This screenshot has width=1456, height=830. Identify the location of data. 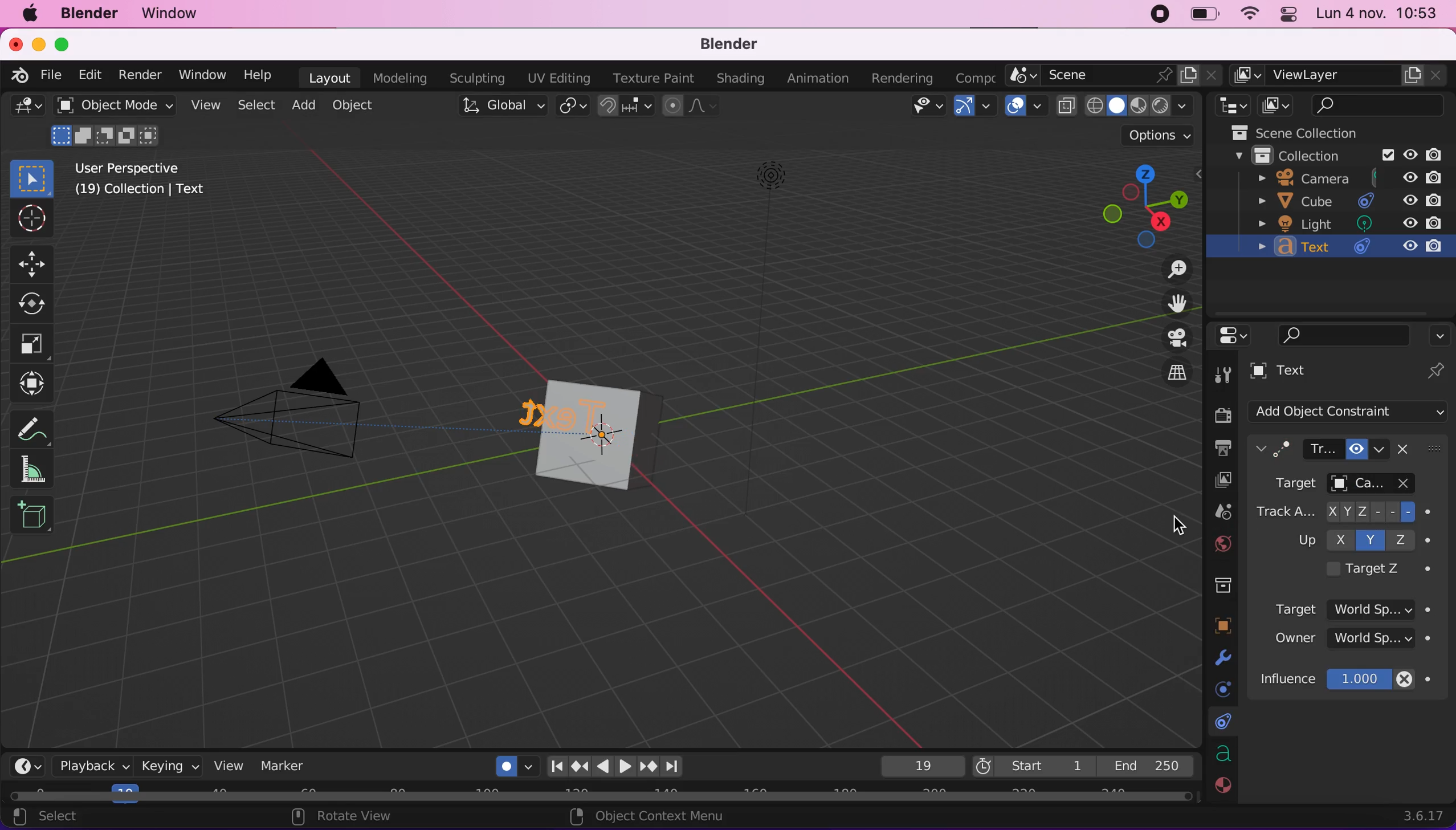
(1222, 755).